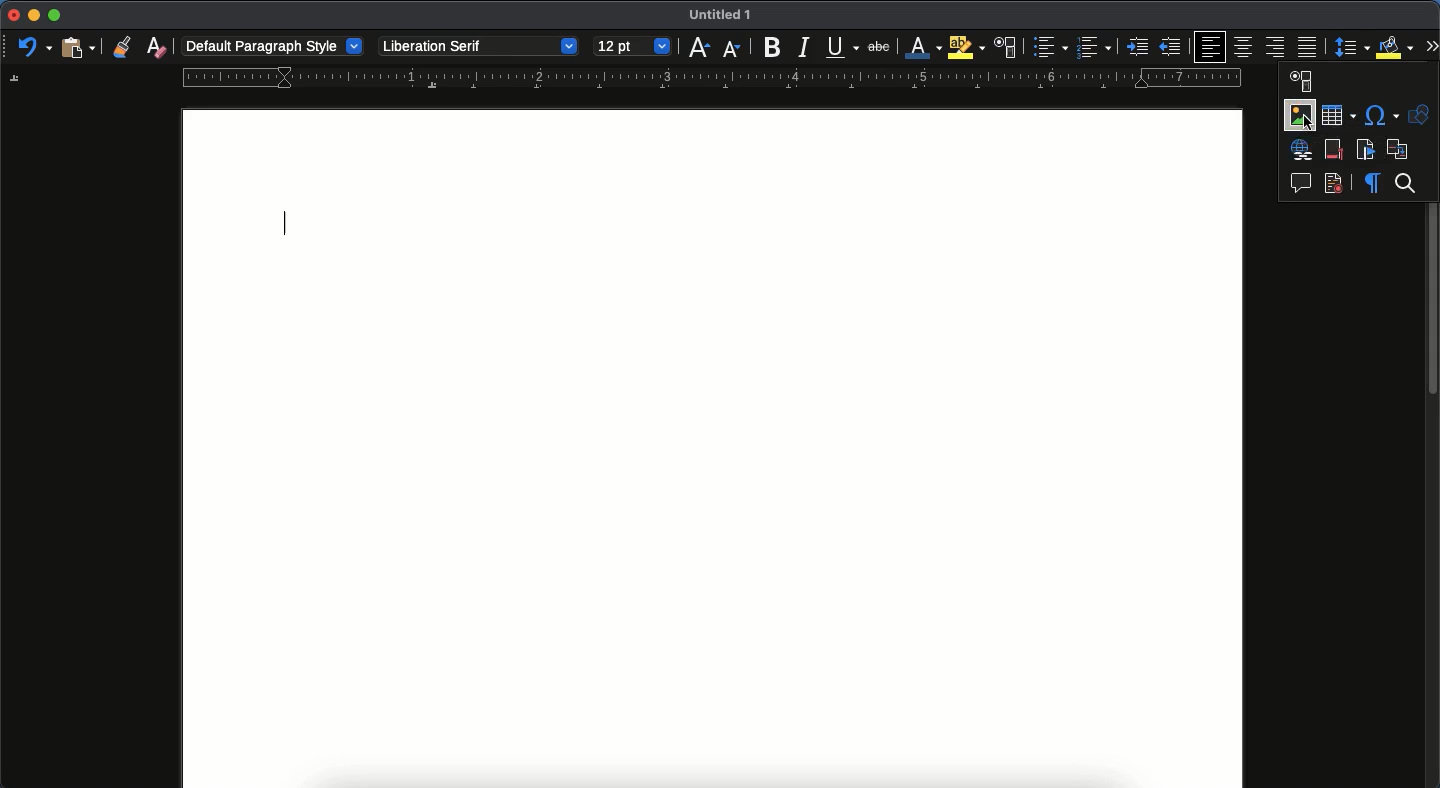 This screenshot has width=1440, height=788. What do you see at coordinates (711, 78) in the screenshot?
I see `guide` at bounding box center [711, 78].